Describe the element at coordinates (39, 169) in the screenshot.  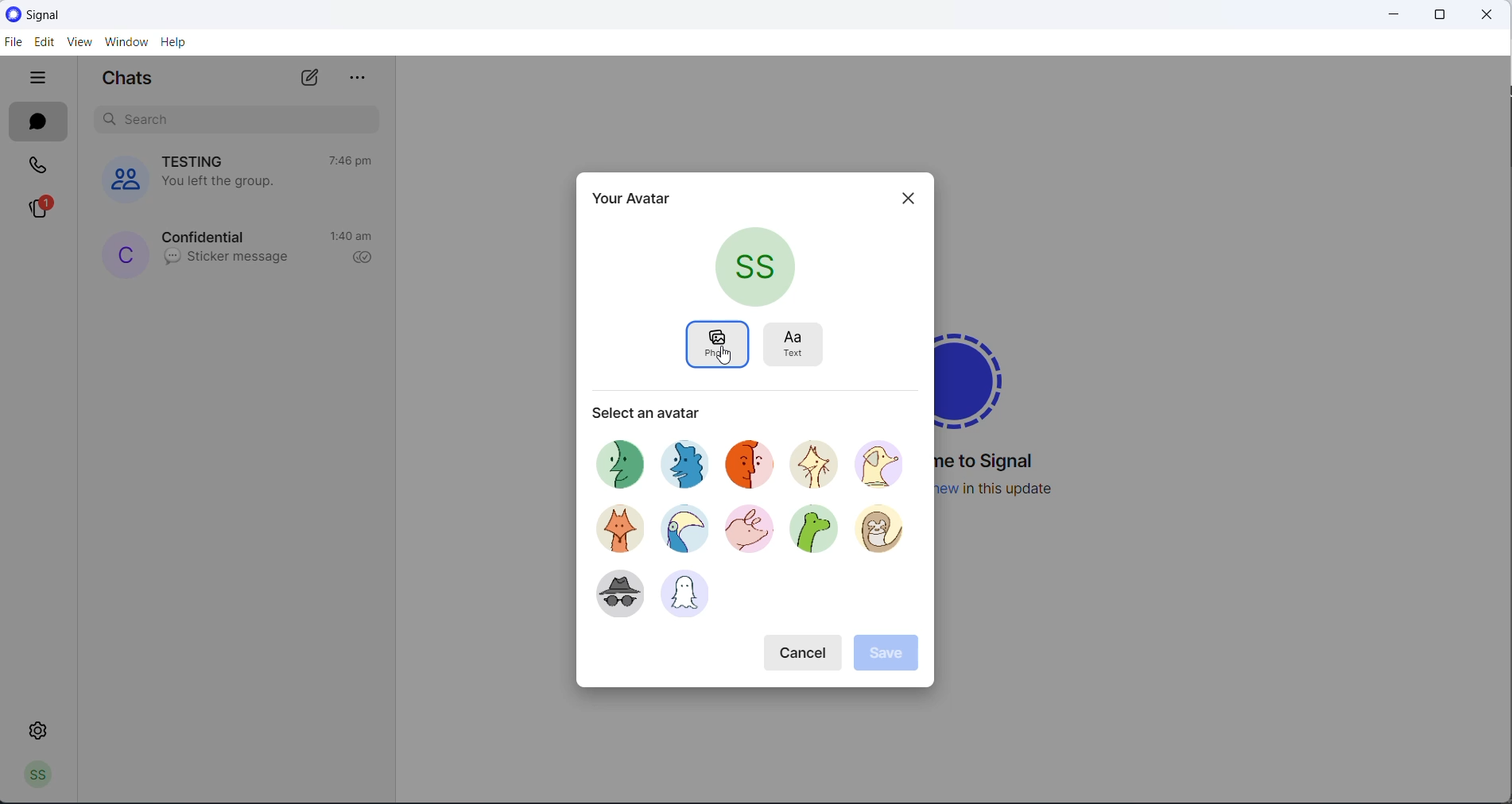
I see `calls` at that location.